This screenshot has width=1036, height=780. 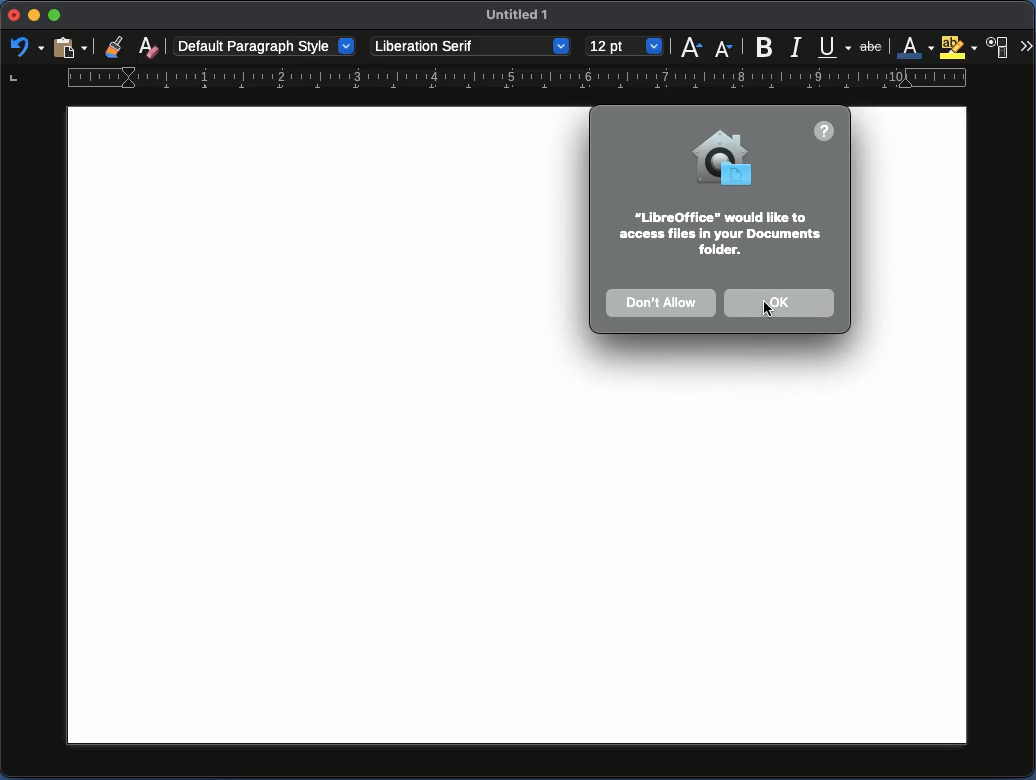 What do you see at coordinates (488, 80) in the screenshot?
I see `Ruler` at bounding box center [488, 80].